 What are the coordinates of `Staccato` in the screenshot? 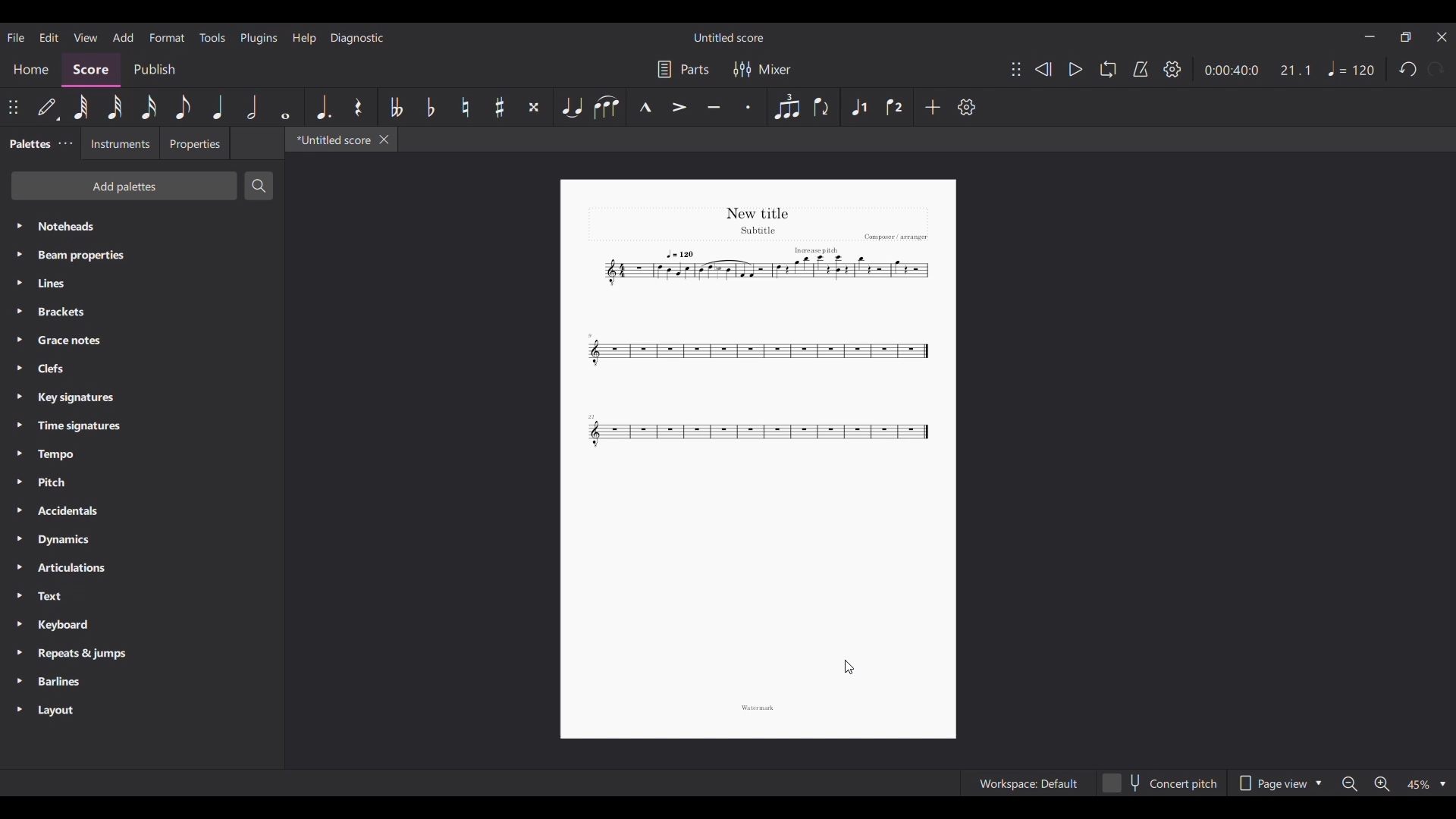 It's located at (748, 107).